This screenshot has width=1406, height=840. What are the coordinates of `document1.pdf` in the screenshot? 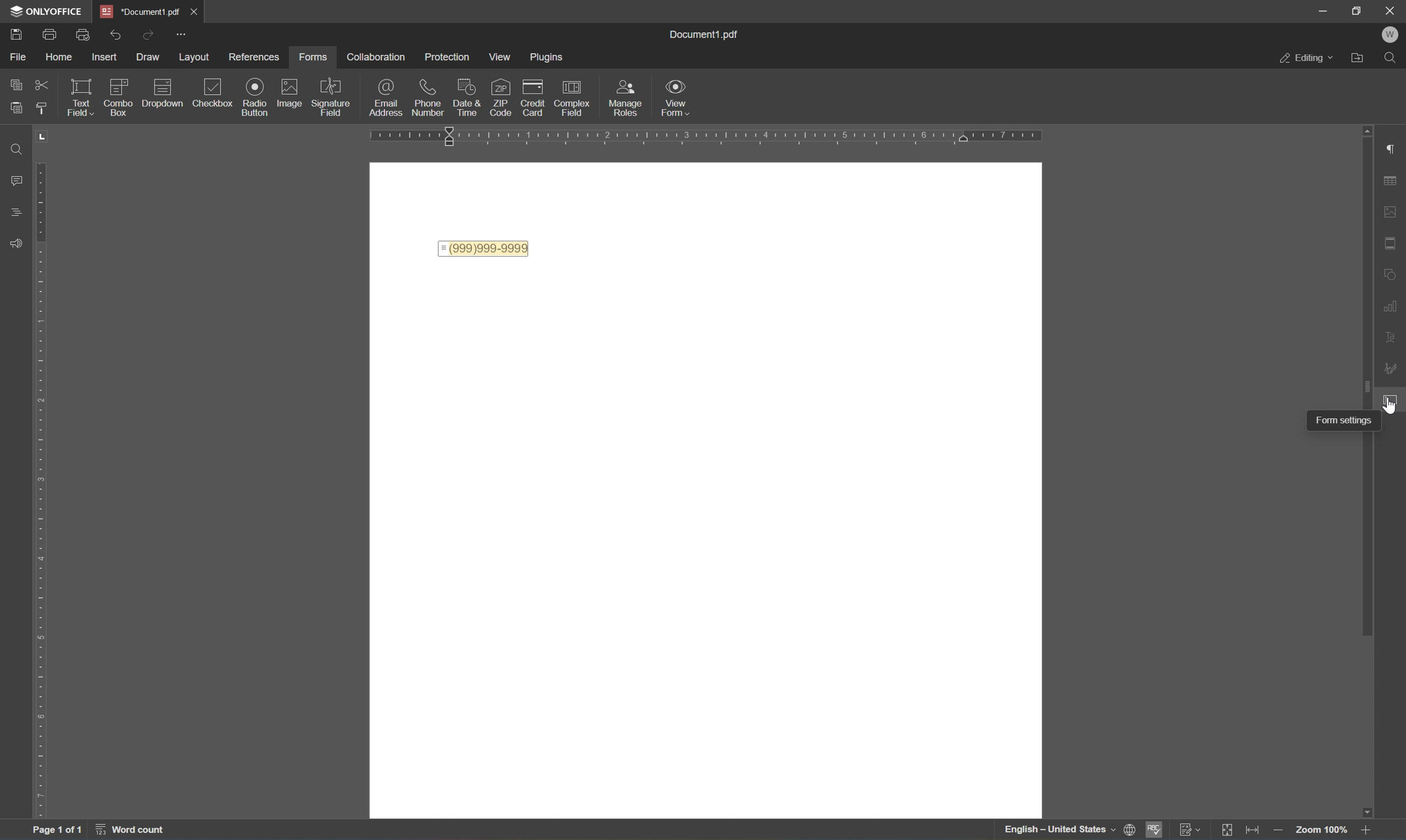 It's located at (137, 10).